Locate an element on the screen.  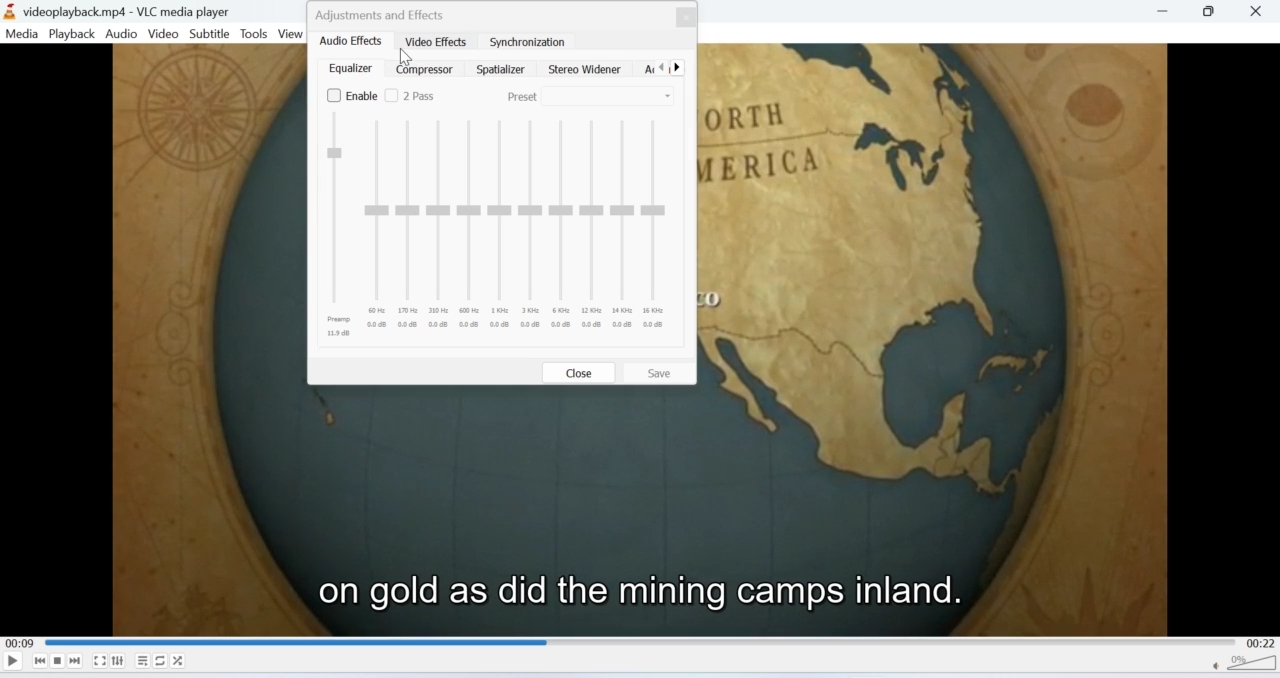
synchronization is located at coordinates (529, 43).